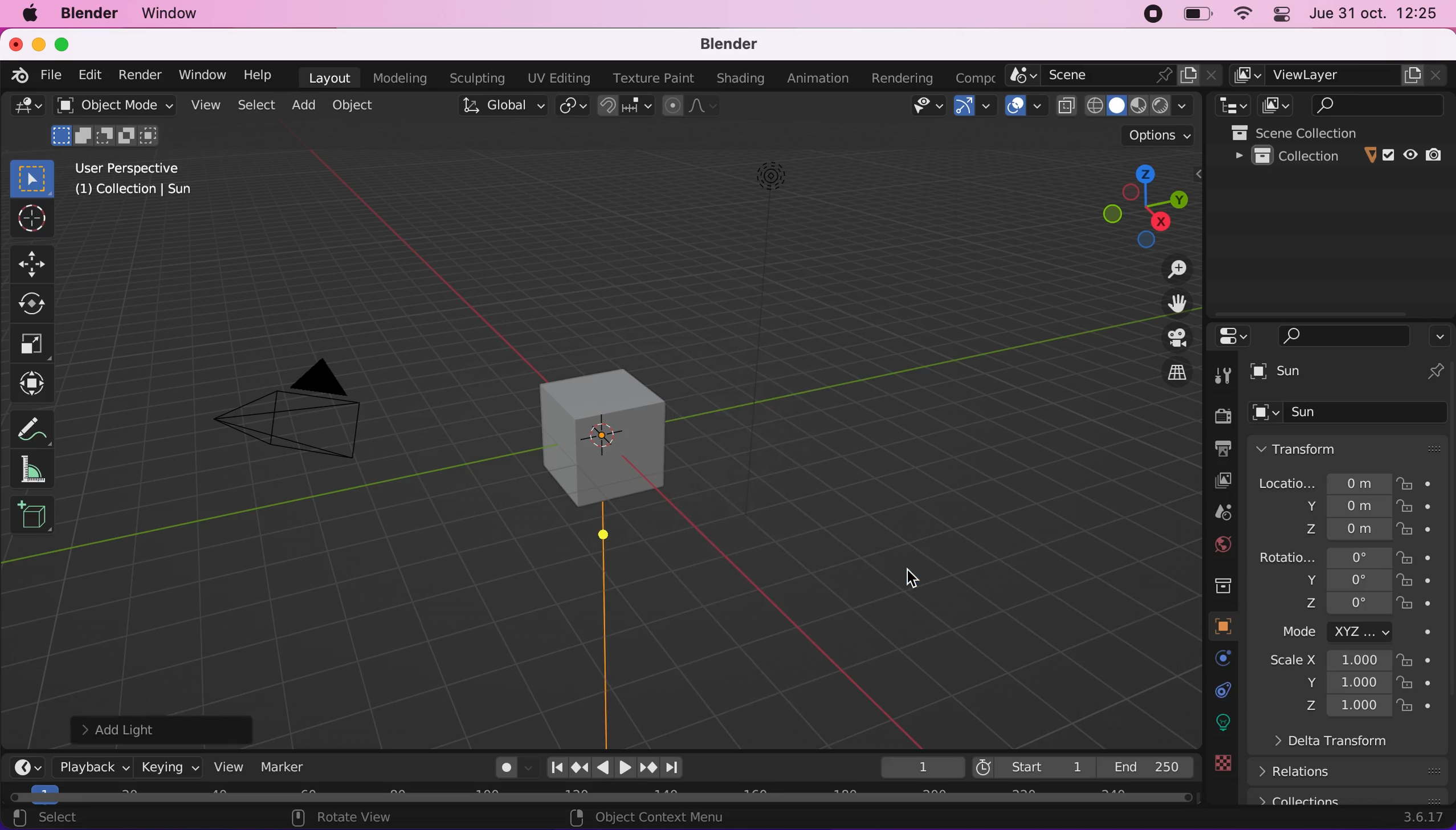  Describe the element at coordinates (325, 77) in the screenshot. I see `layout` at that location.